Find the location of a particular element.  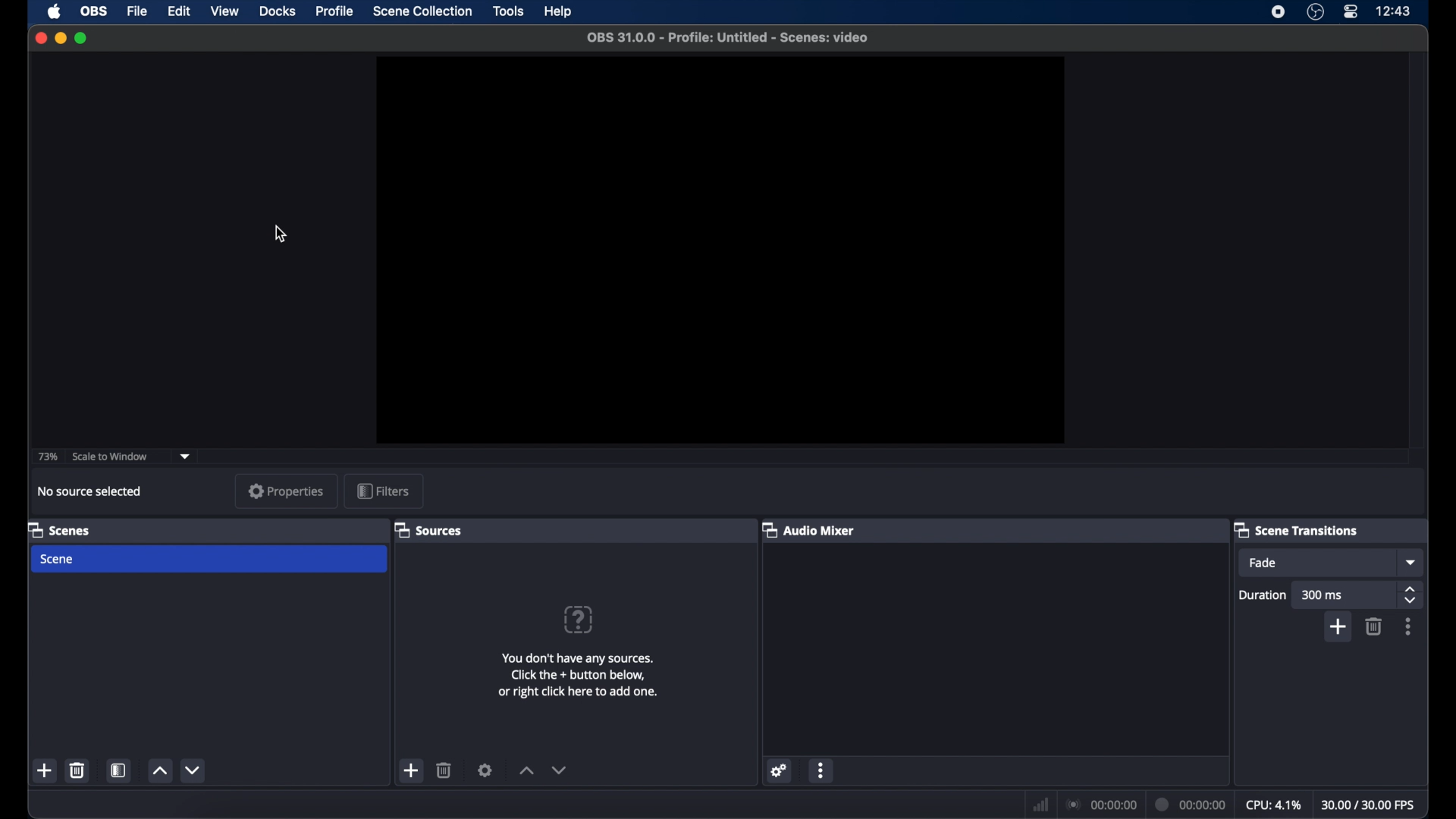

increment is located at coordinates (159, 772).